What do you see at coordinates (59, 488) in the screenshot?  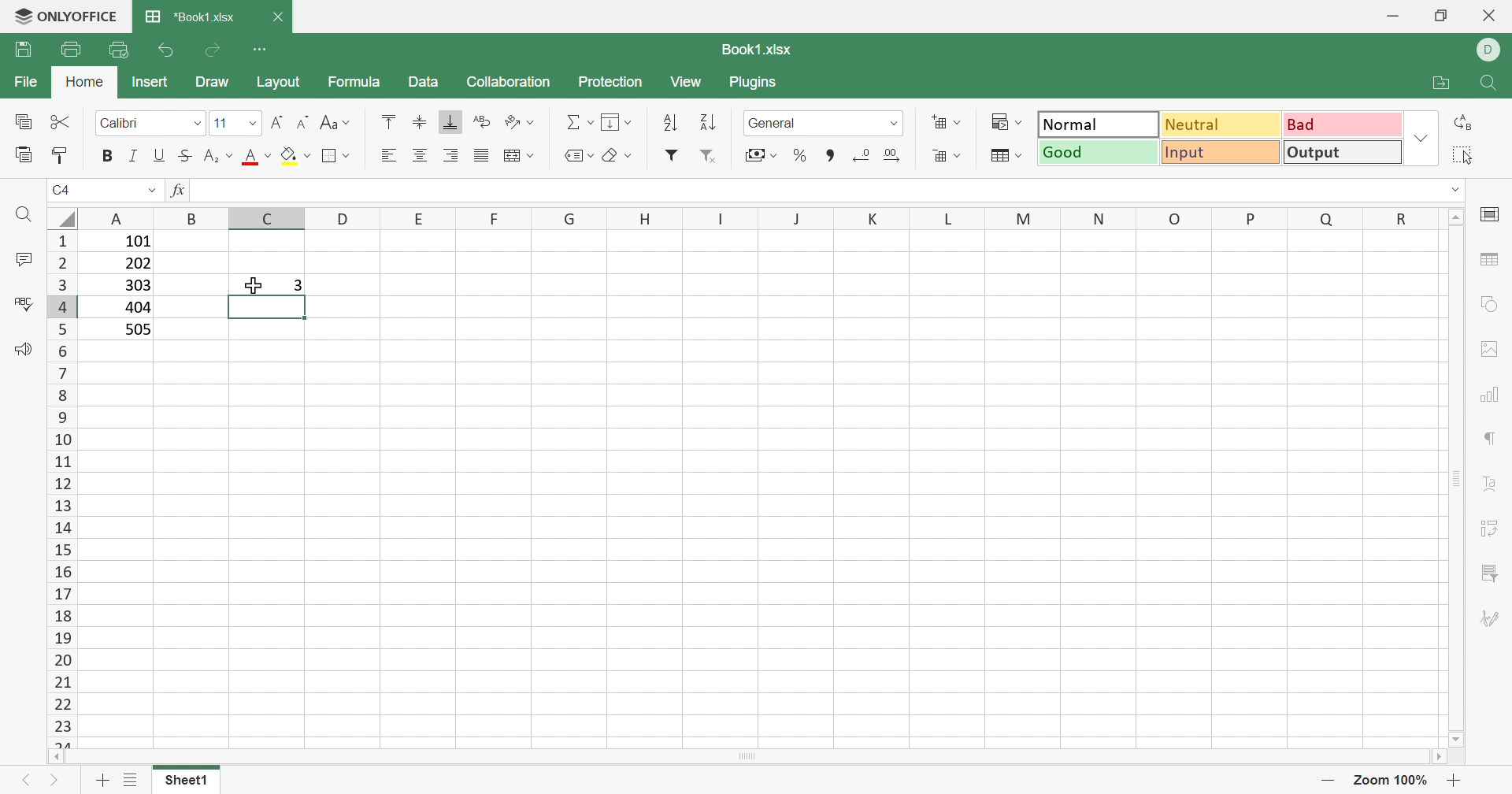 I see `Row Numbers` at bounding box center [59, 488].